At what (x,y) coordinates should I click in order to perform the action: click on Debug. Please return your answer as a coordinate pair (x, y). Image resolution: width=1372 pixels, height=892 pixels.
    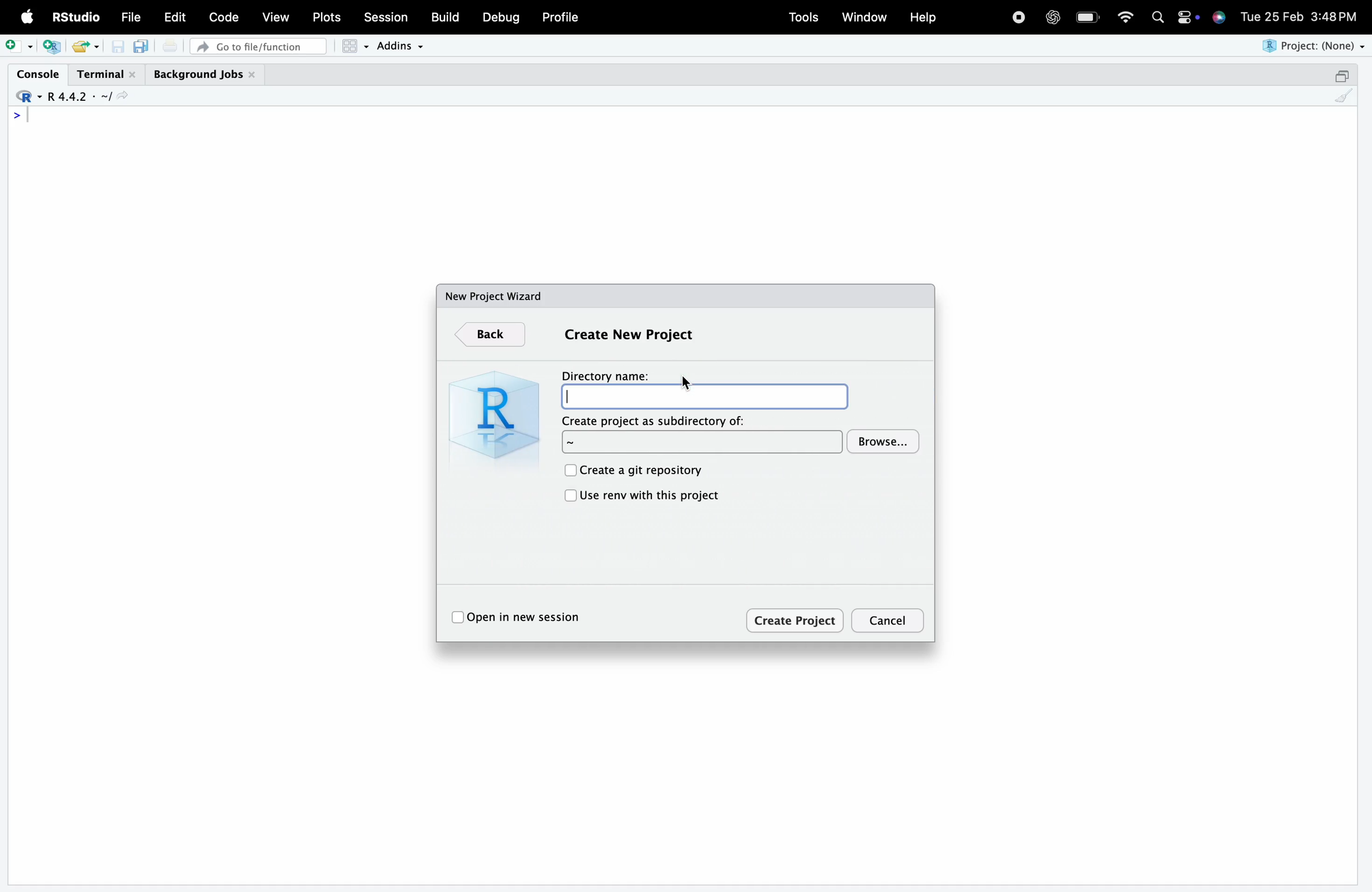
    Looking at the image, I should click on (502, 17).